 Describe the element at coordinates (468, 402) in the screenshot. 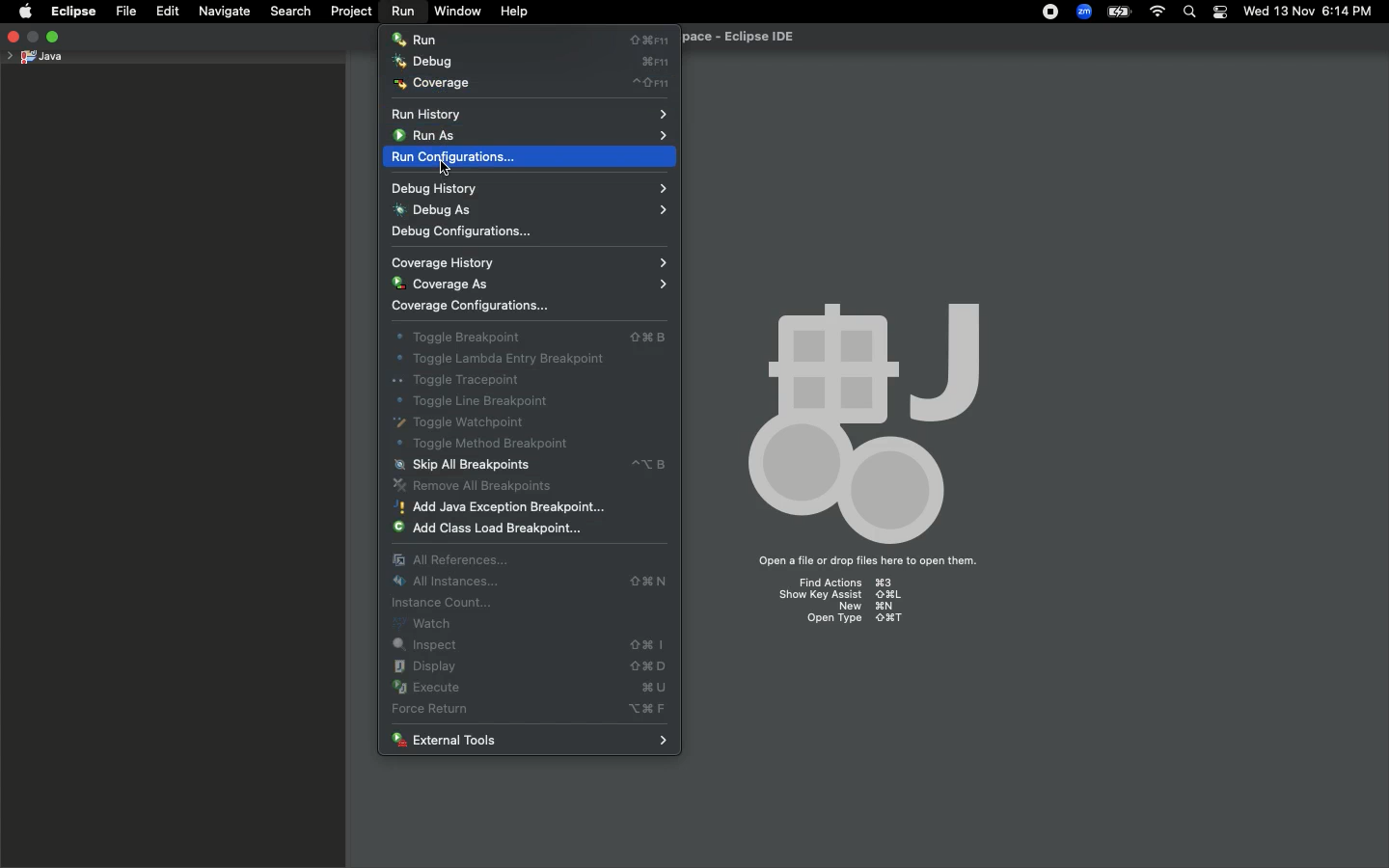

I see `Toggle line breakpoint` at that location.